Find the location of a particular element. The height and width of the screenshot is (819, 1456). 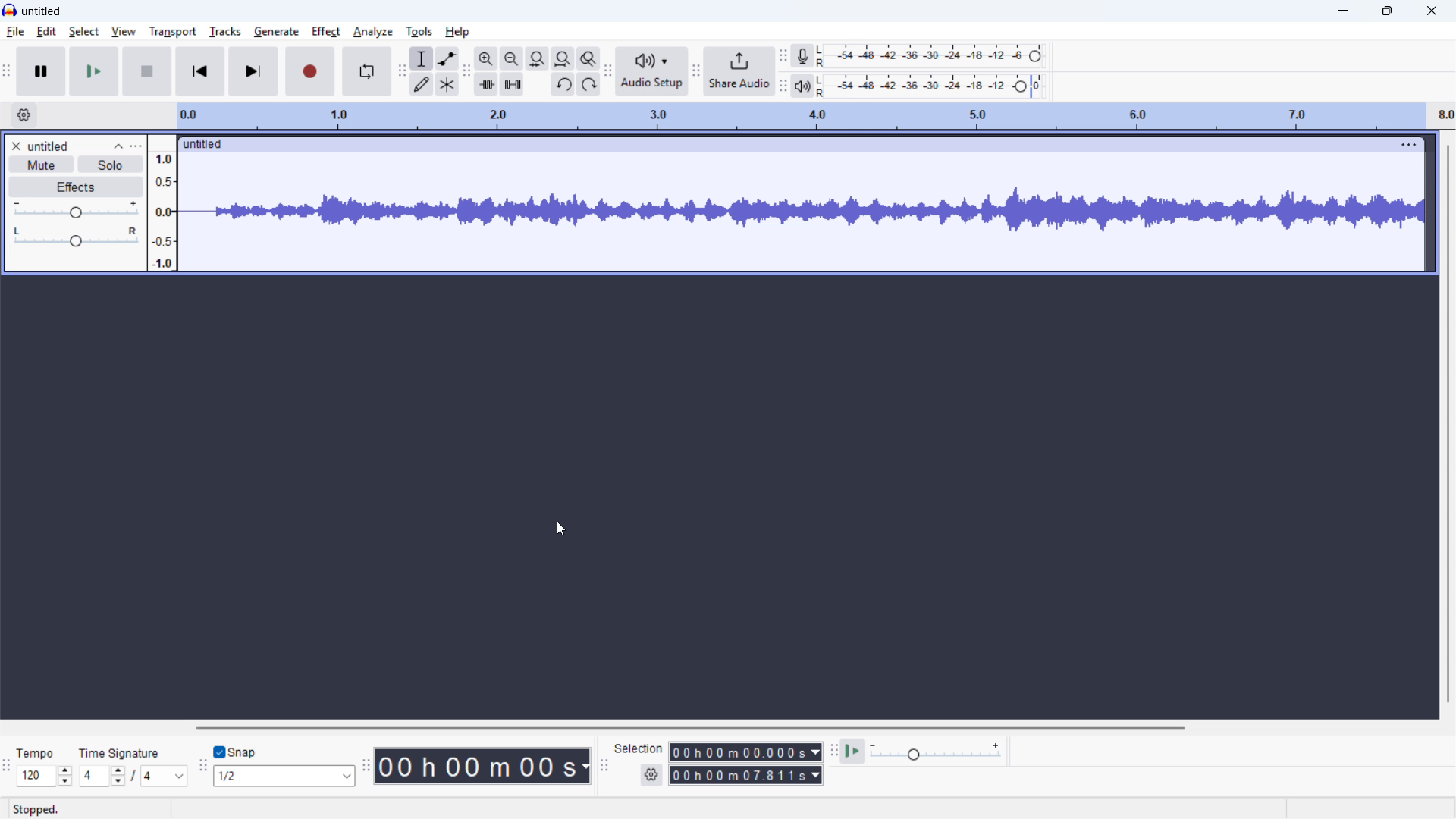

stop is located at coordinates (148, 71).